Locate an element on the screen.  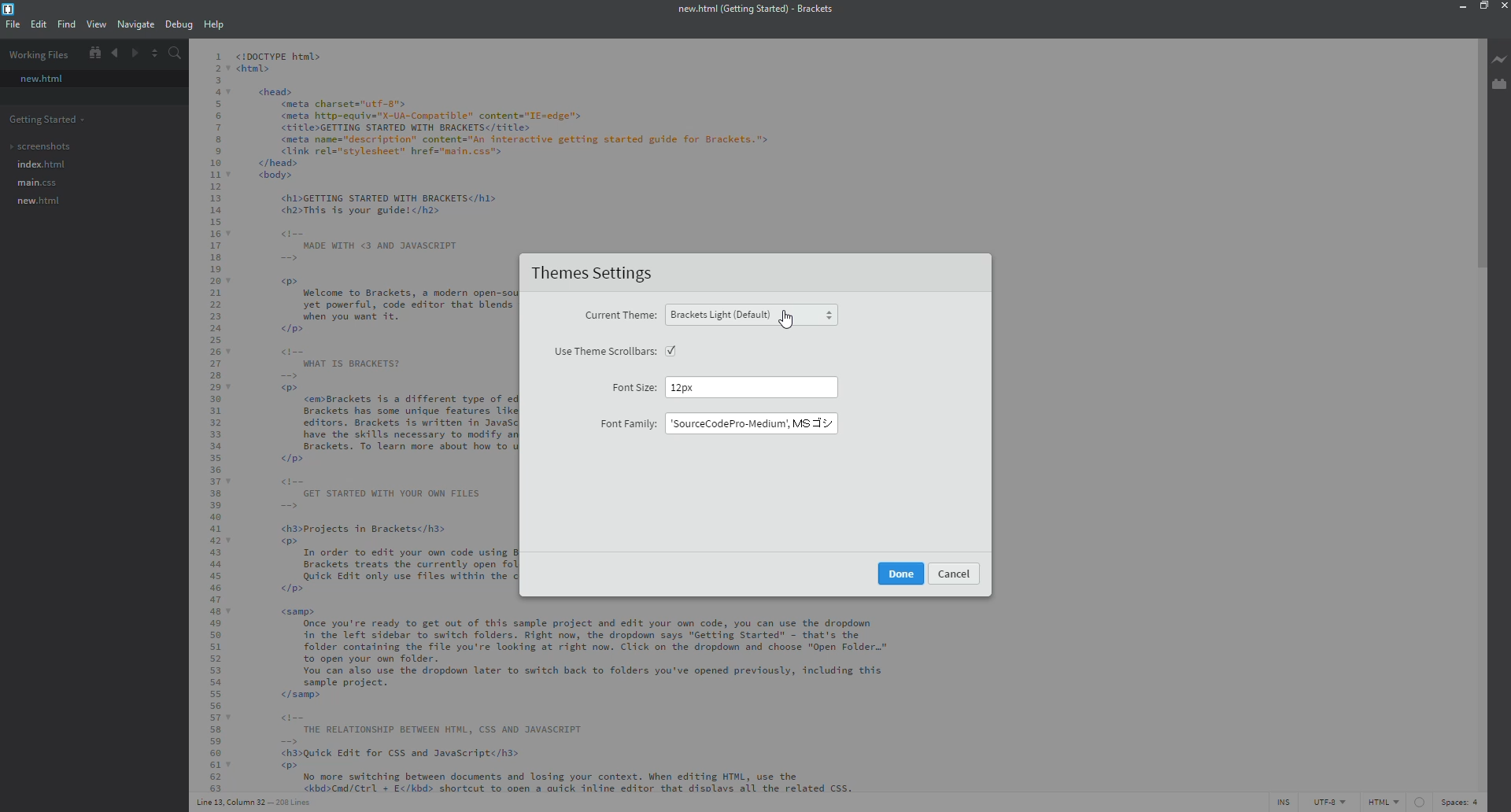
ins is located at coordinates (1285, 802).